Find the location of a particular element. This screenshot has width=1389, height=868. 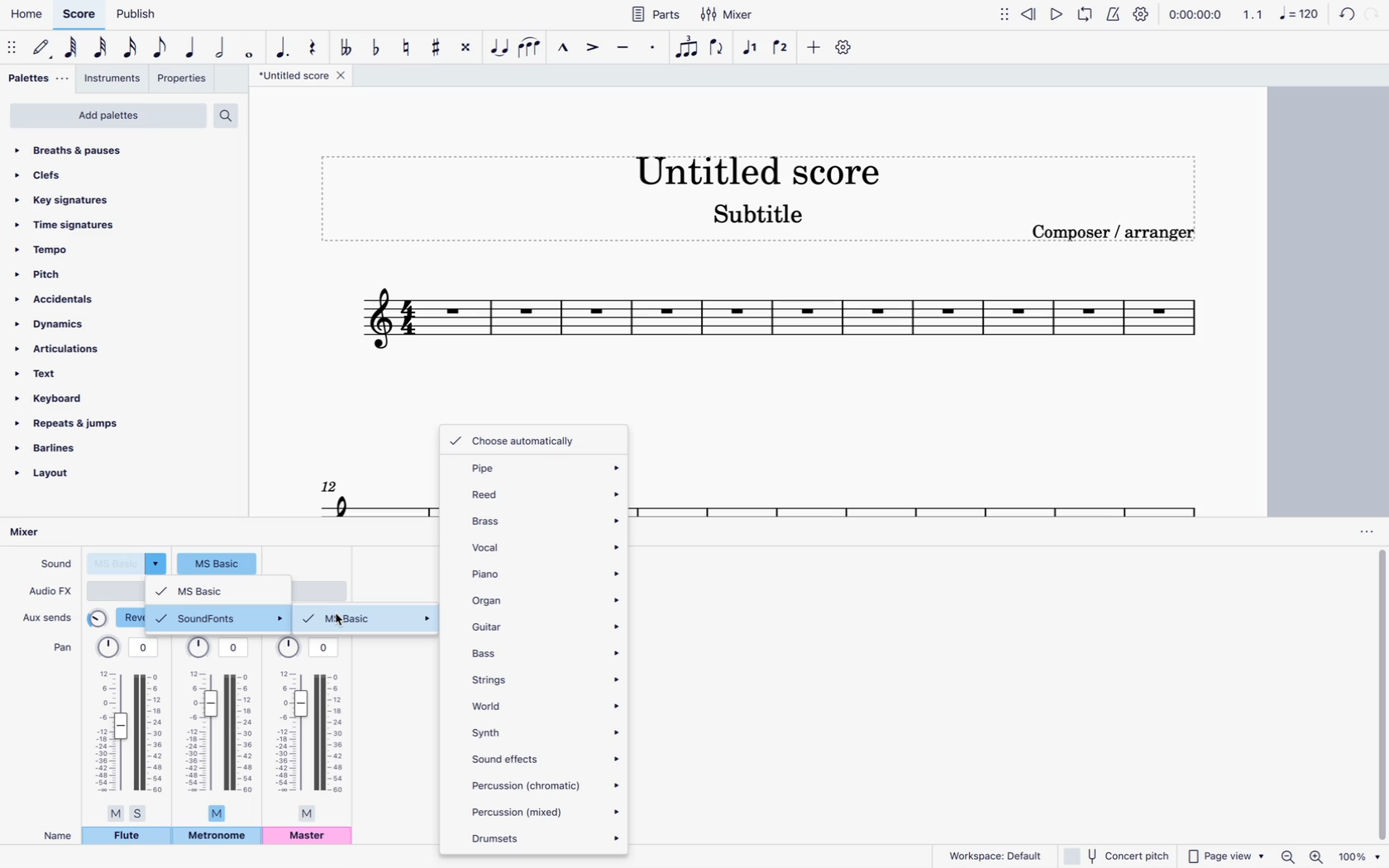

scale is located at coordinates (919, 498).